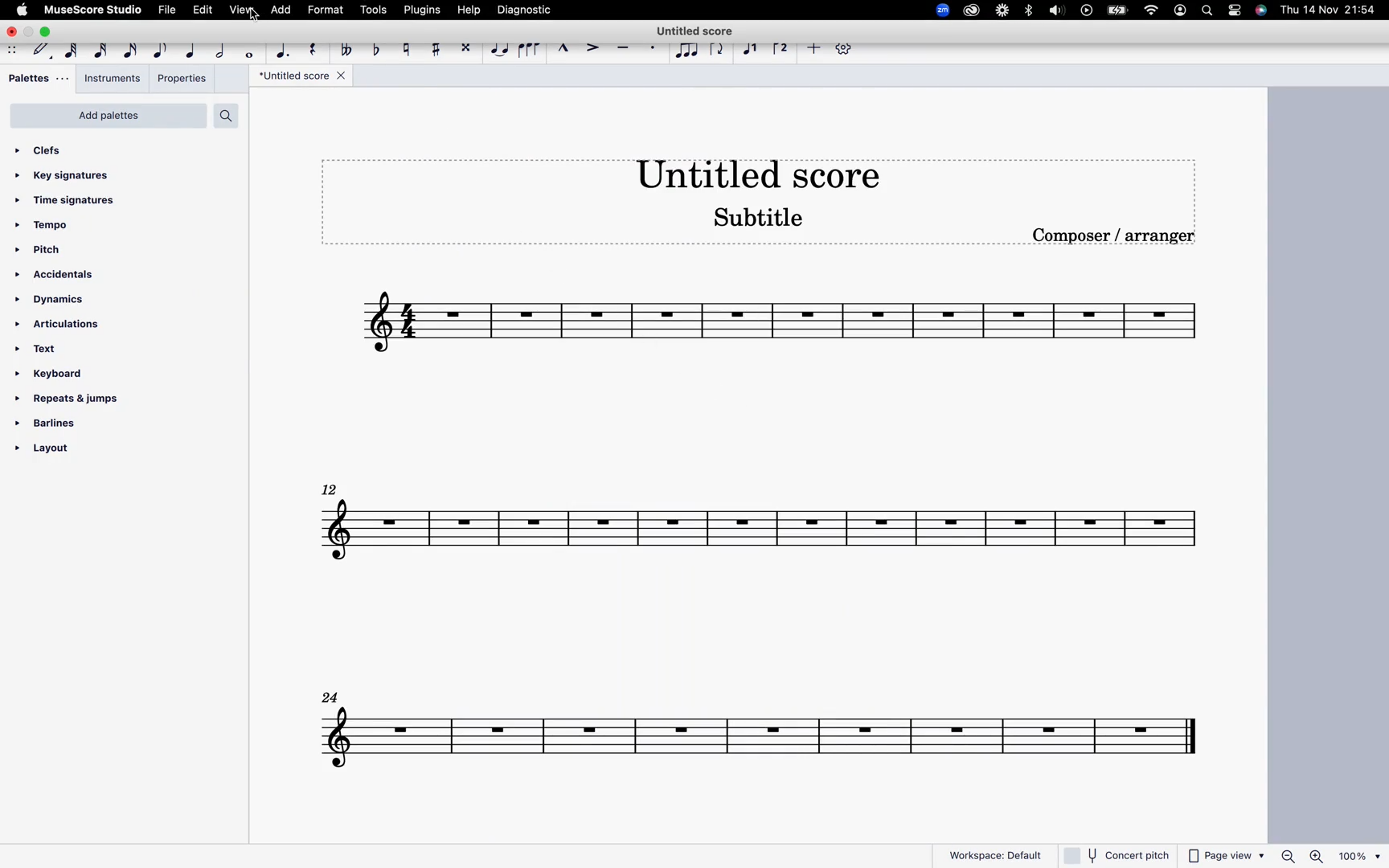 The image size is (1389, 868). I want to click on double toggle flat, so click(342, 51).